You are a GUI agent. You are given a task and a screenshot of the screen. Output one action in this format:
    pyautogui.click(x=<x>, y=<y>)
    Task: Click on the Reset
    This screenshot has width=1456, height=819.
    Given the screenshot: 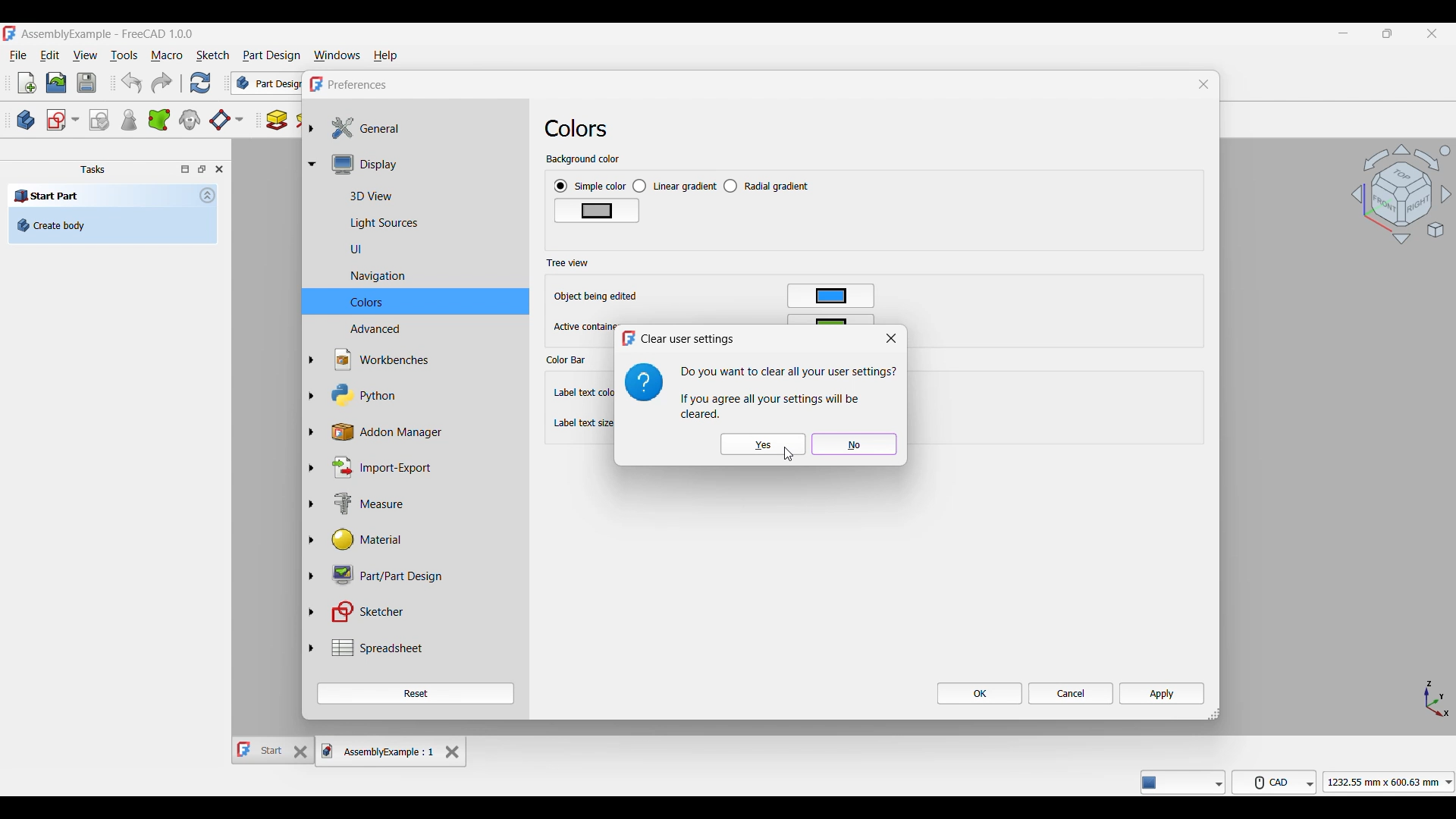 What is the action you would take?
    pyautogui.click(x=415, y=693)
    